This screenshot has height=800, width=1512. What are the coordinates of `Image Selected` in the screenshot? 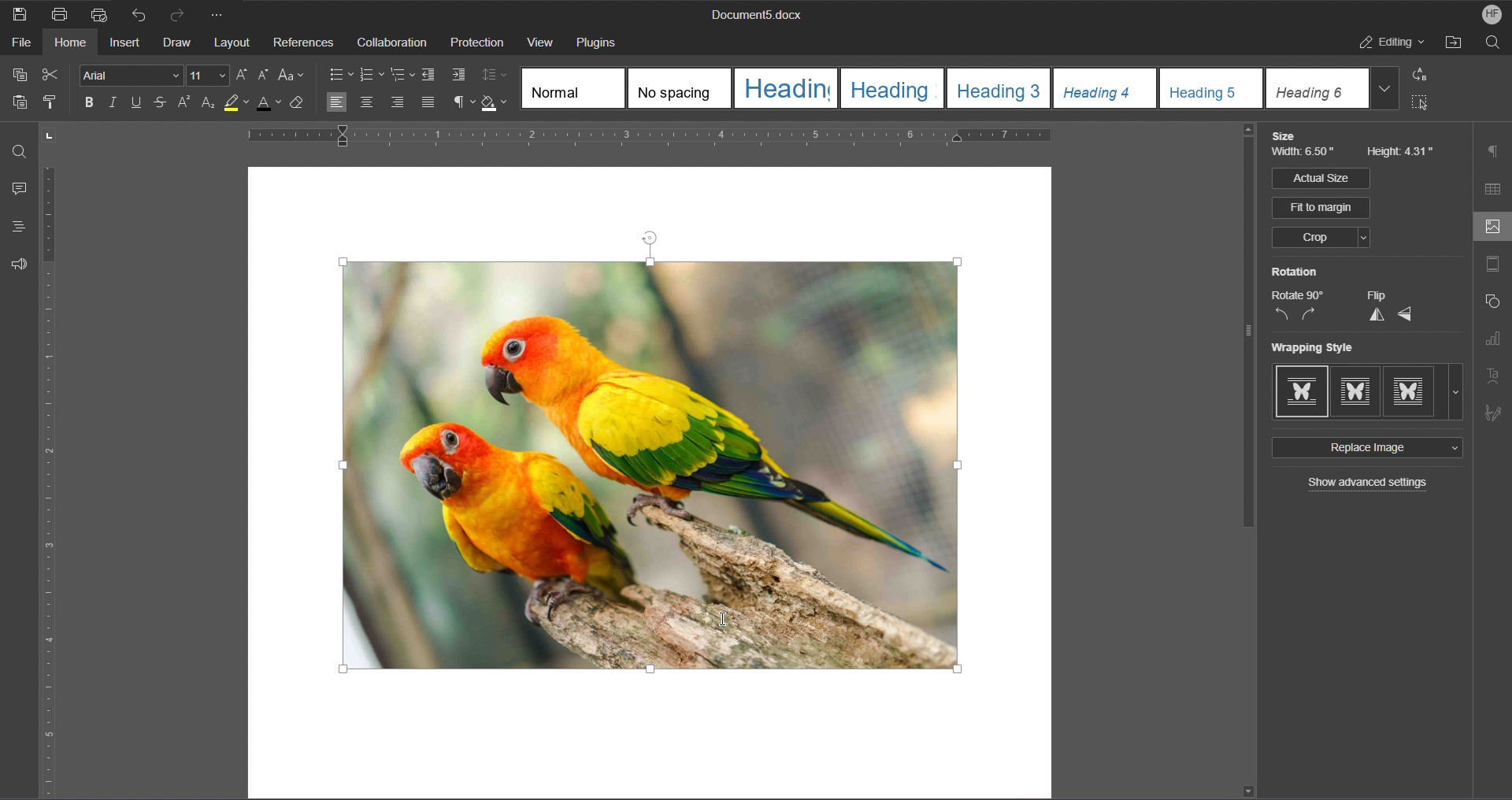 It's located at (711, 456).